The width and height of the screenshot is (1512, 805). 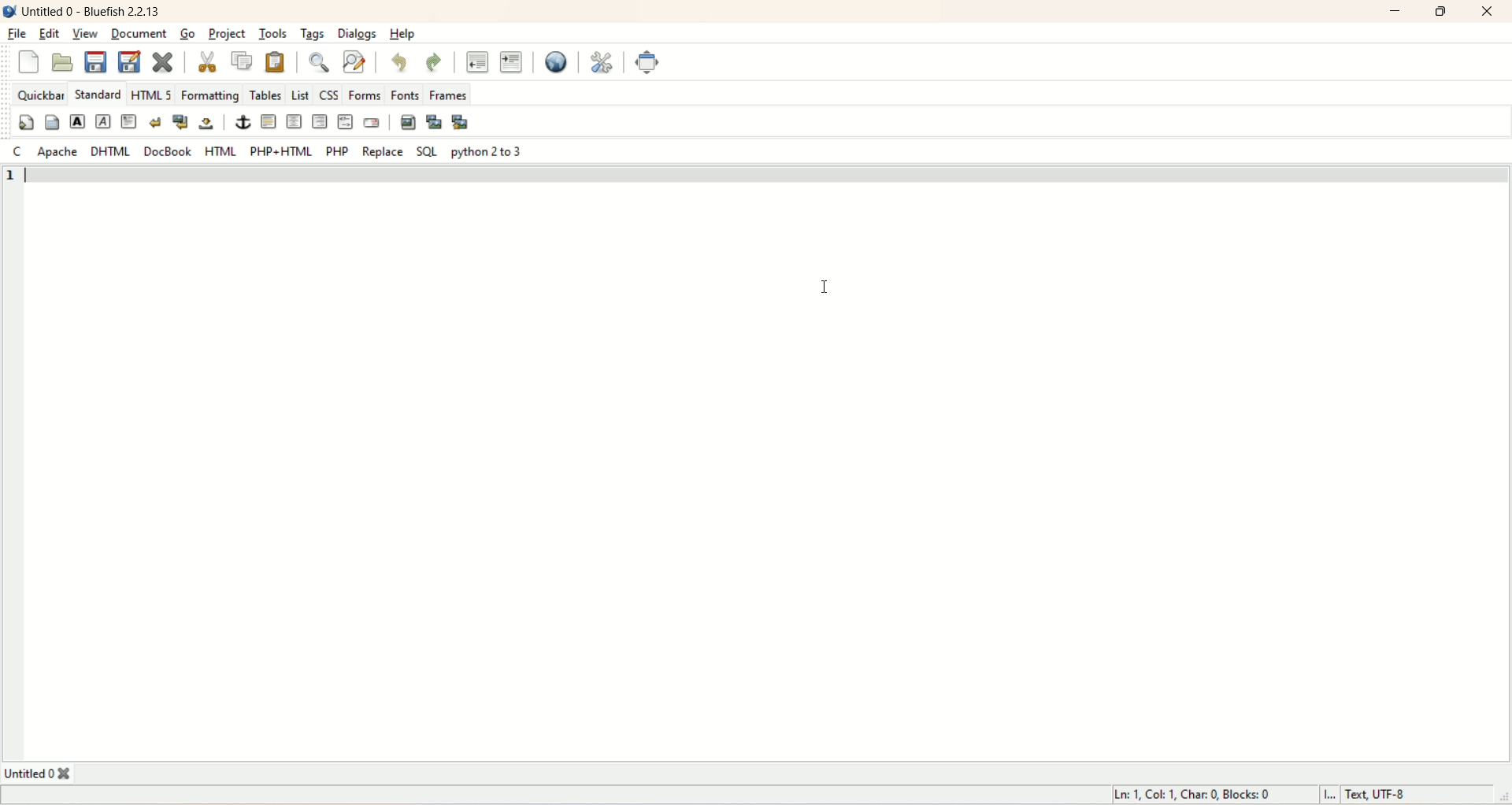 I want to click on strong, so click(x=79, y=123).